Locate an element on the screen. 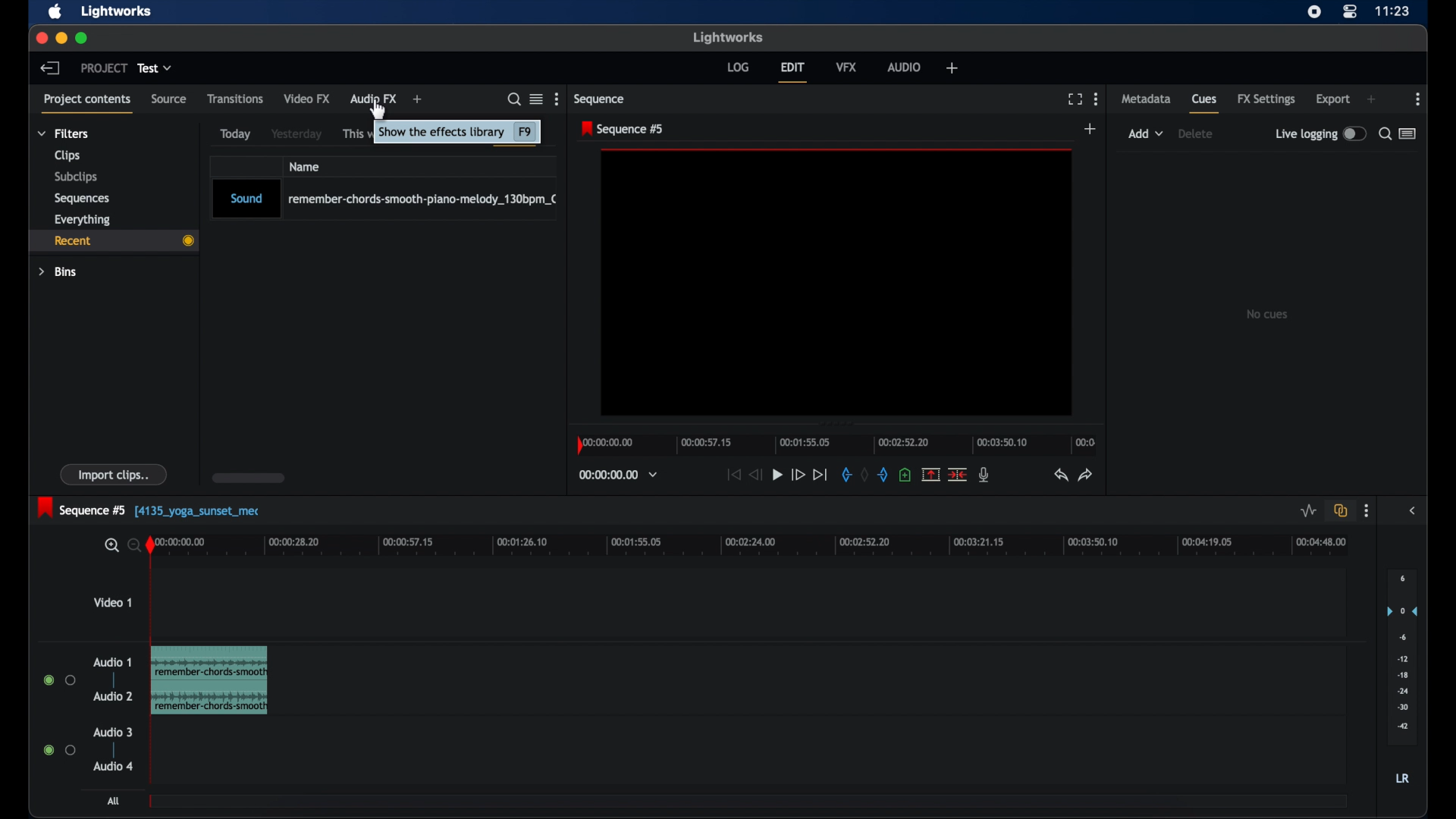  screen recorder icon is located at coordinates (1314, 12).